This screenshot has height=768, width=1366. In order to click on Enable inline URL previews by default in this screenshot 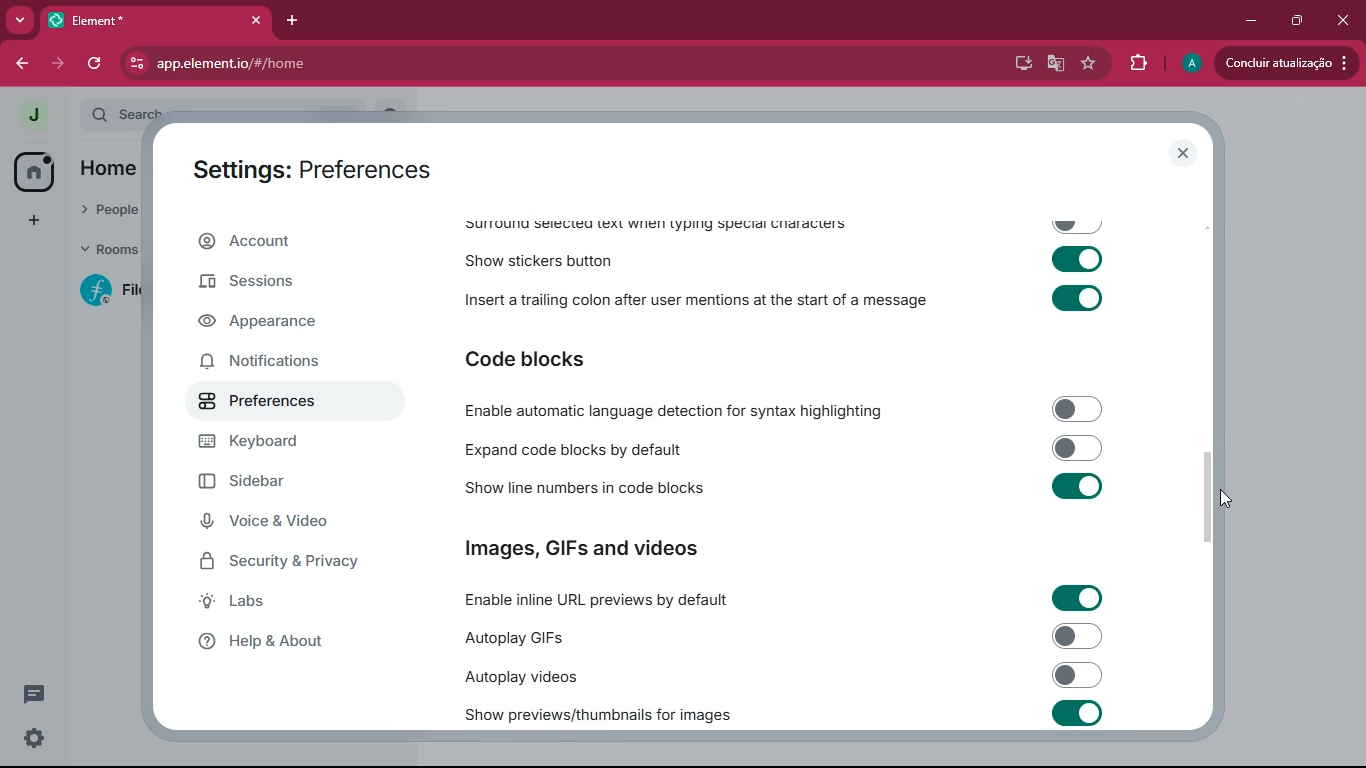, I will do `click(779, 597)`.